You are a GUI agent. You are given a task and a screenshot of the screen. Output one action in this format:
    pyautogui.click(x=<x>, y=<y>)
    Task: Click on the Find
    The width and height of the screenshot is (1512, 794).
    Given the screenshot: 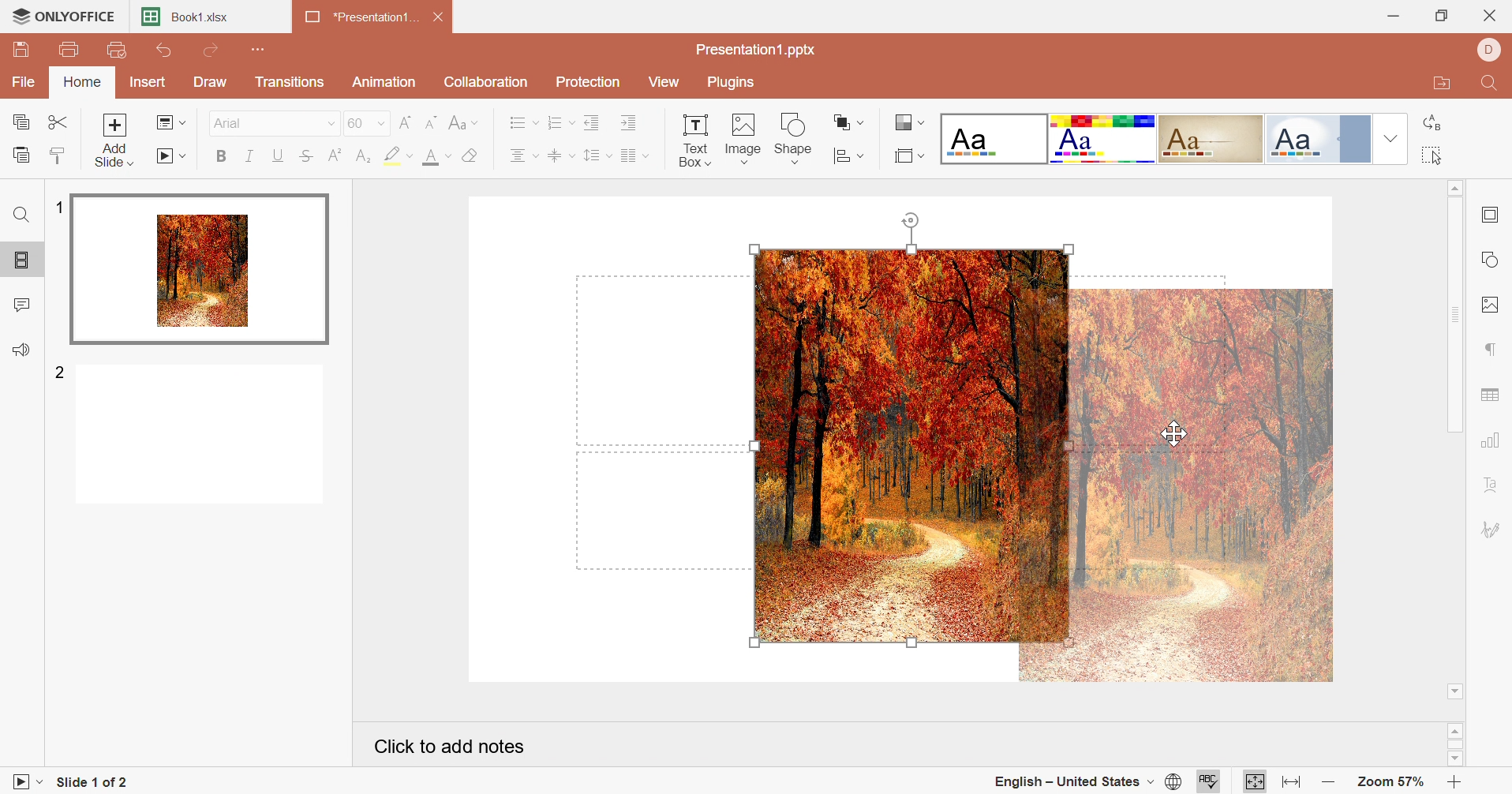 What is the action you would take?
    pyautogui.click(x=21, y=217)
    